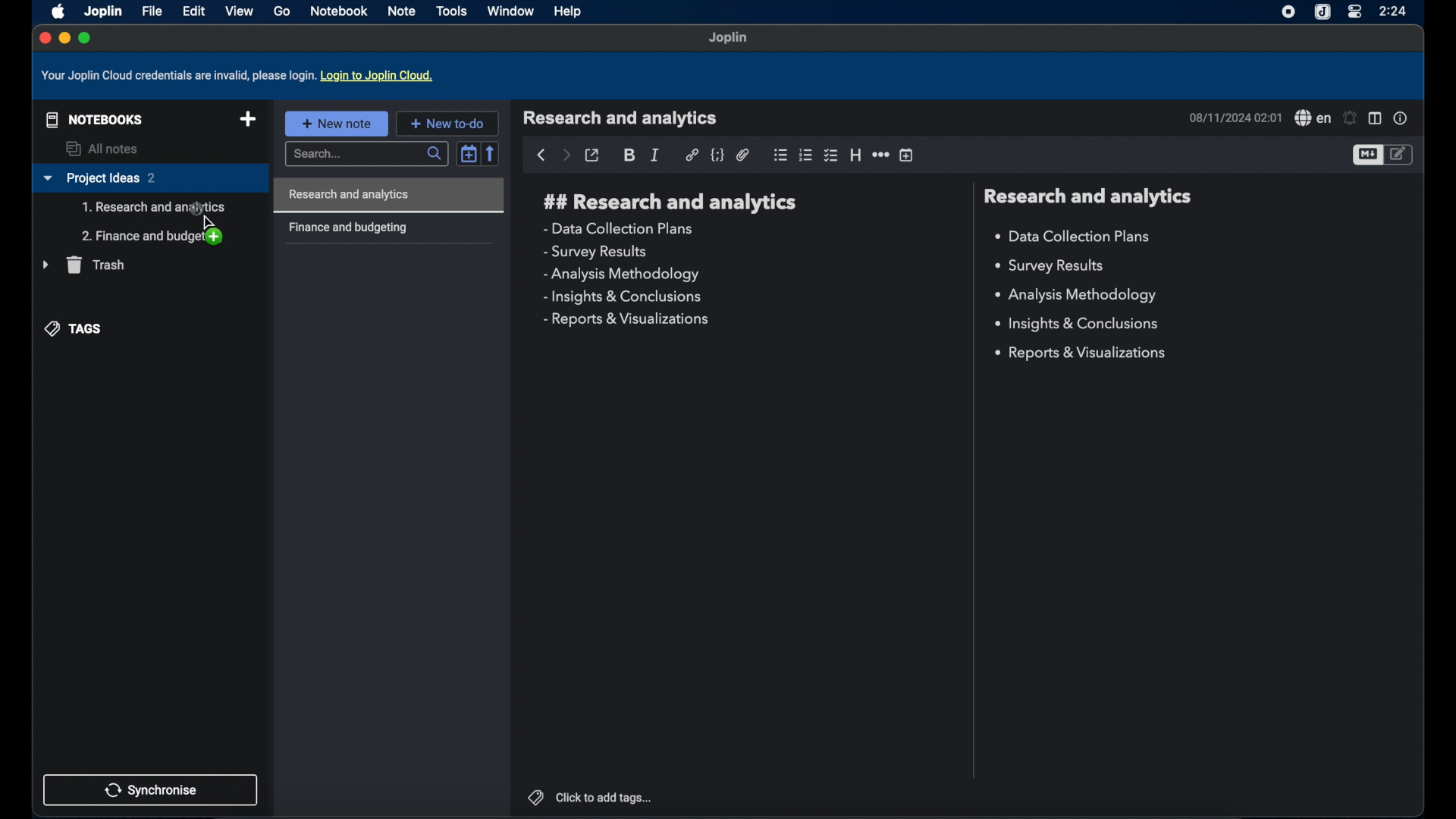 The width and height of the screenshot is (1456, 819). I want to click on italic, so click(656, 155).